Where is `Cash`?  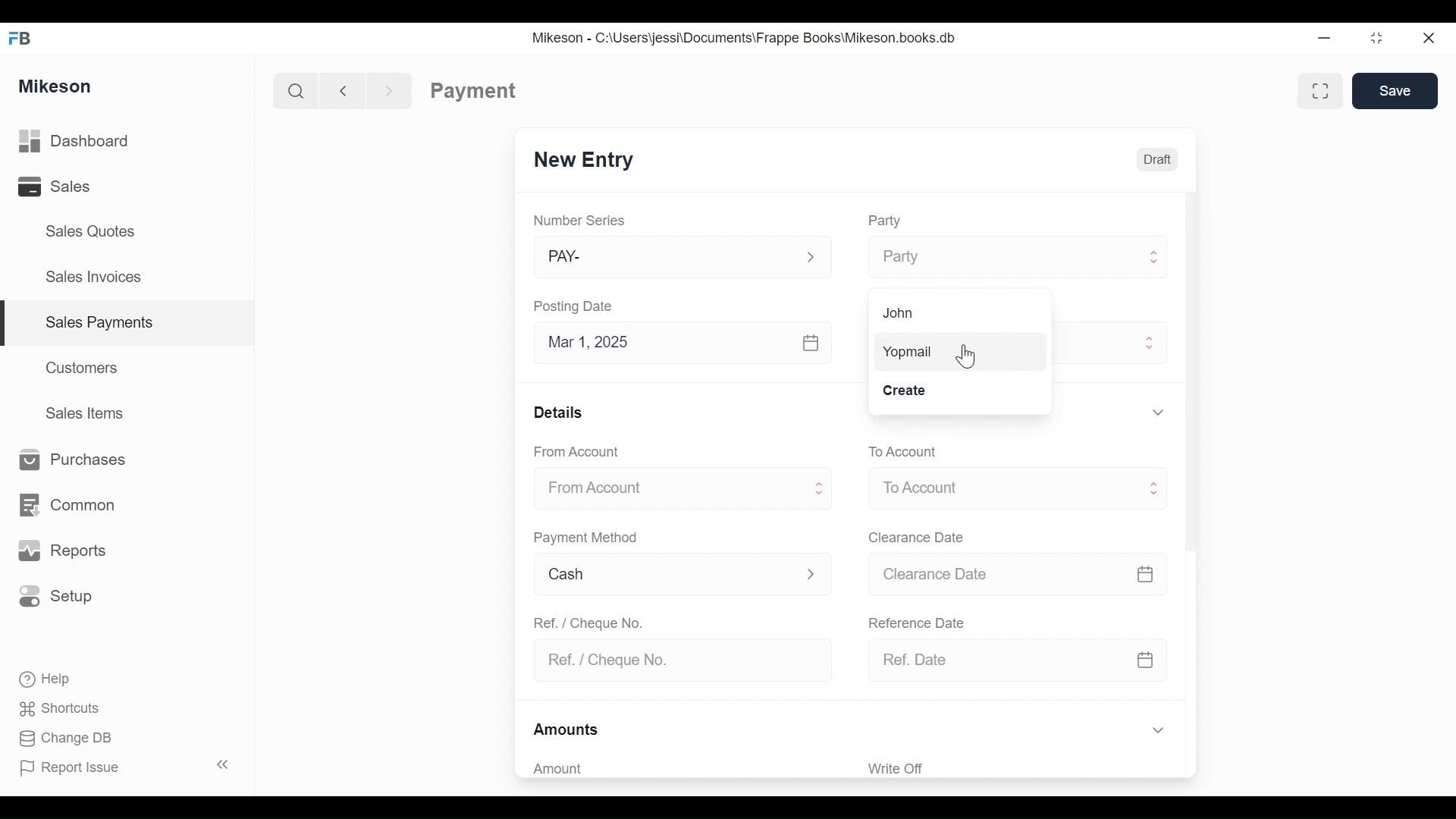
Cash is located at coordinates (682, 573).